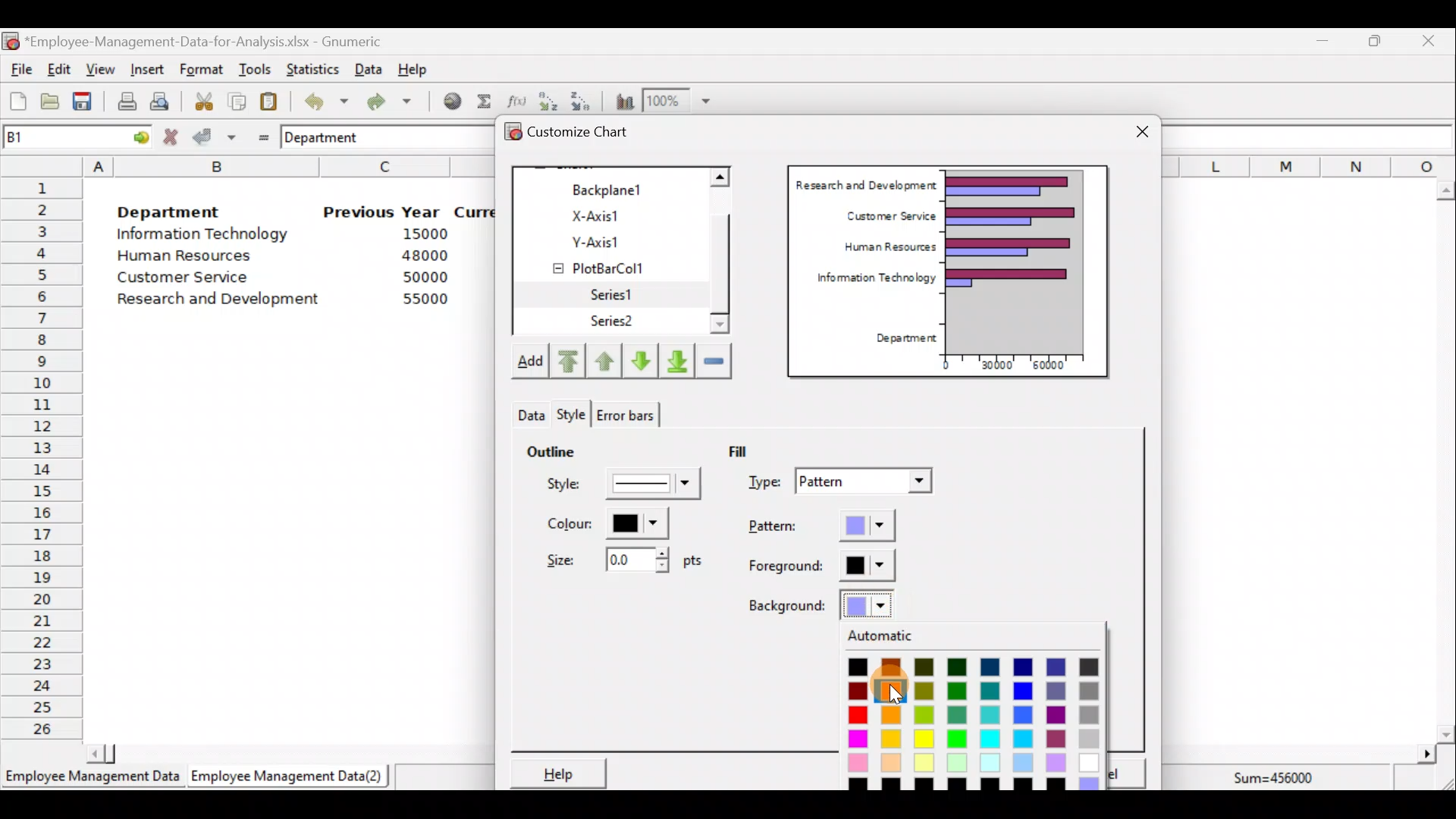 This screenshot has height=819, width=1456. What do you see at coordinates (1057, 367) in the screenshot?
I see `60000"` at bounding box center [1057, 367].